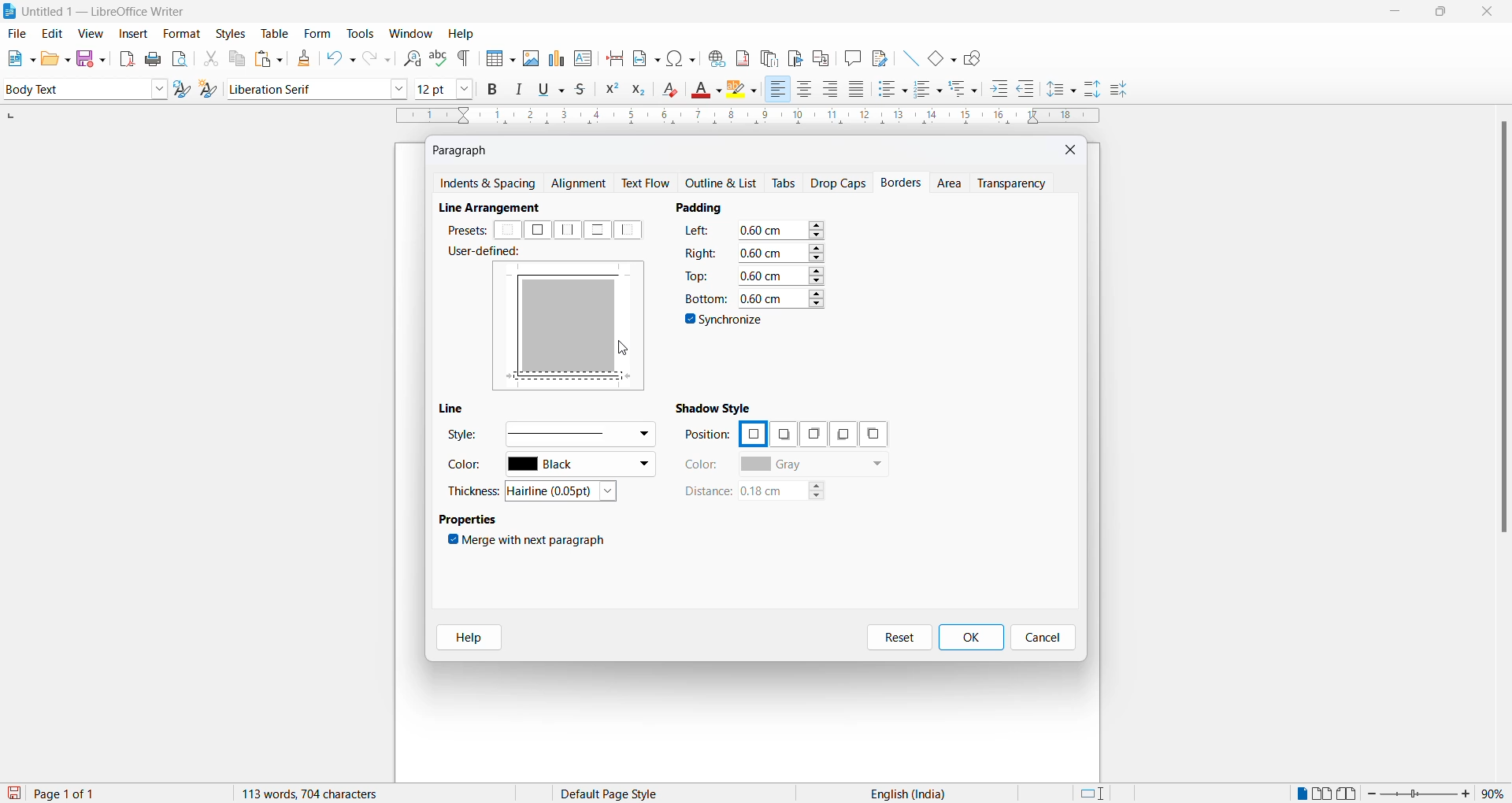  What do you see at coordinates (739, 55) in the screenshot?
I see `insert footnote` at bounding box center [739, 55].